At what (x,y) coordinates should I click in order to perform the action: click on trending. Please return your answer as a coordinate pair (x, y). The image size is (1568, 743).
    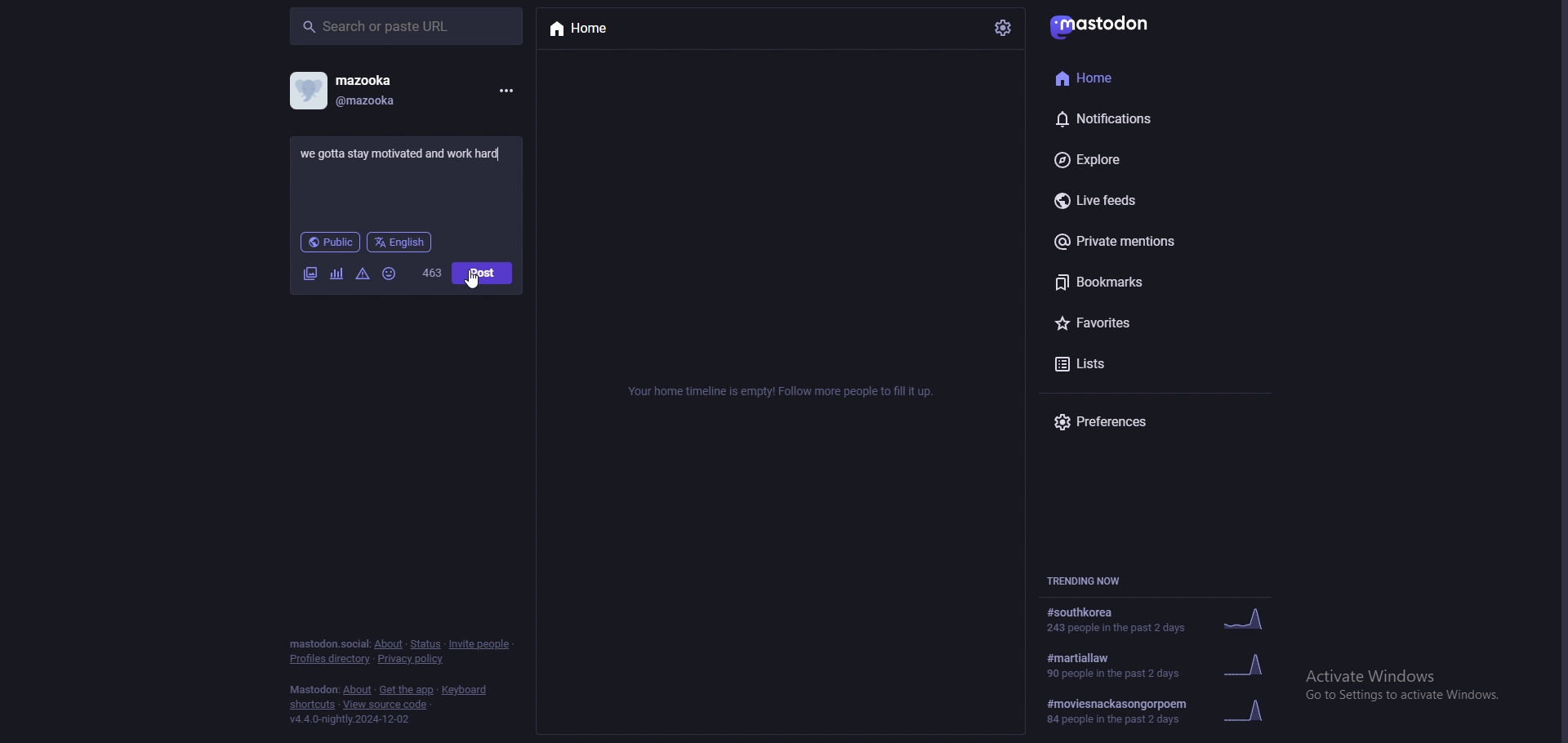
    Looking at the image, I should click on (1164, 621).